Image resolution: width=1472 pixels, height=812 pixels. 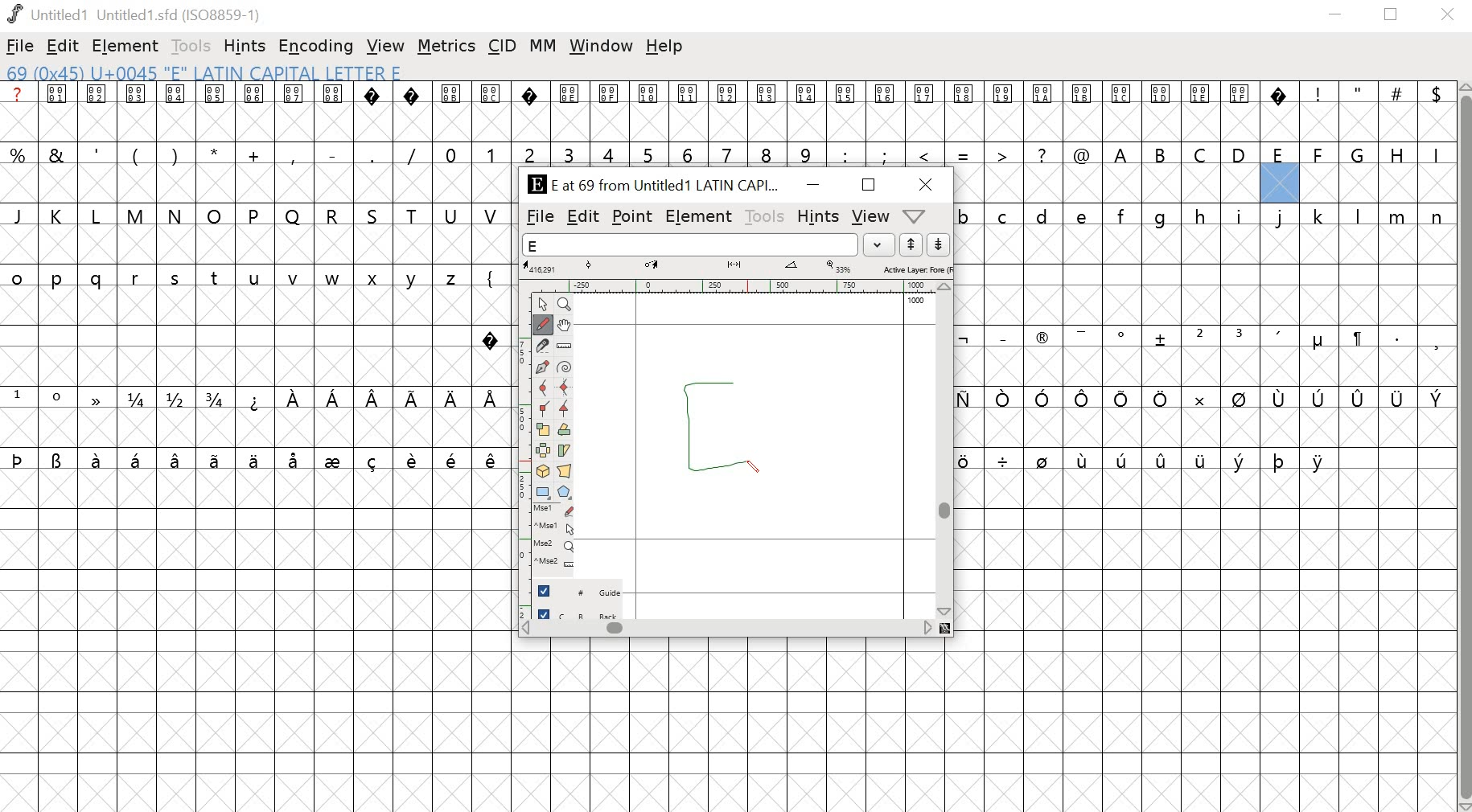 I want to click on special characters, so click(x=257, y=459).